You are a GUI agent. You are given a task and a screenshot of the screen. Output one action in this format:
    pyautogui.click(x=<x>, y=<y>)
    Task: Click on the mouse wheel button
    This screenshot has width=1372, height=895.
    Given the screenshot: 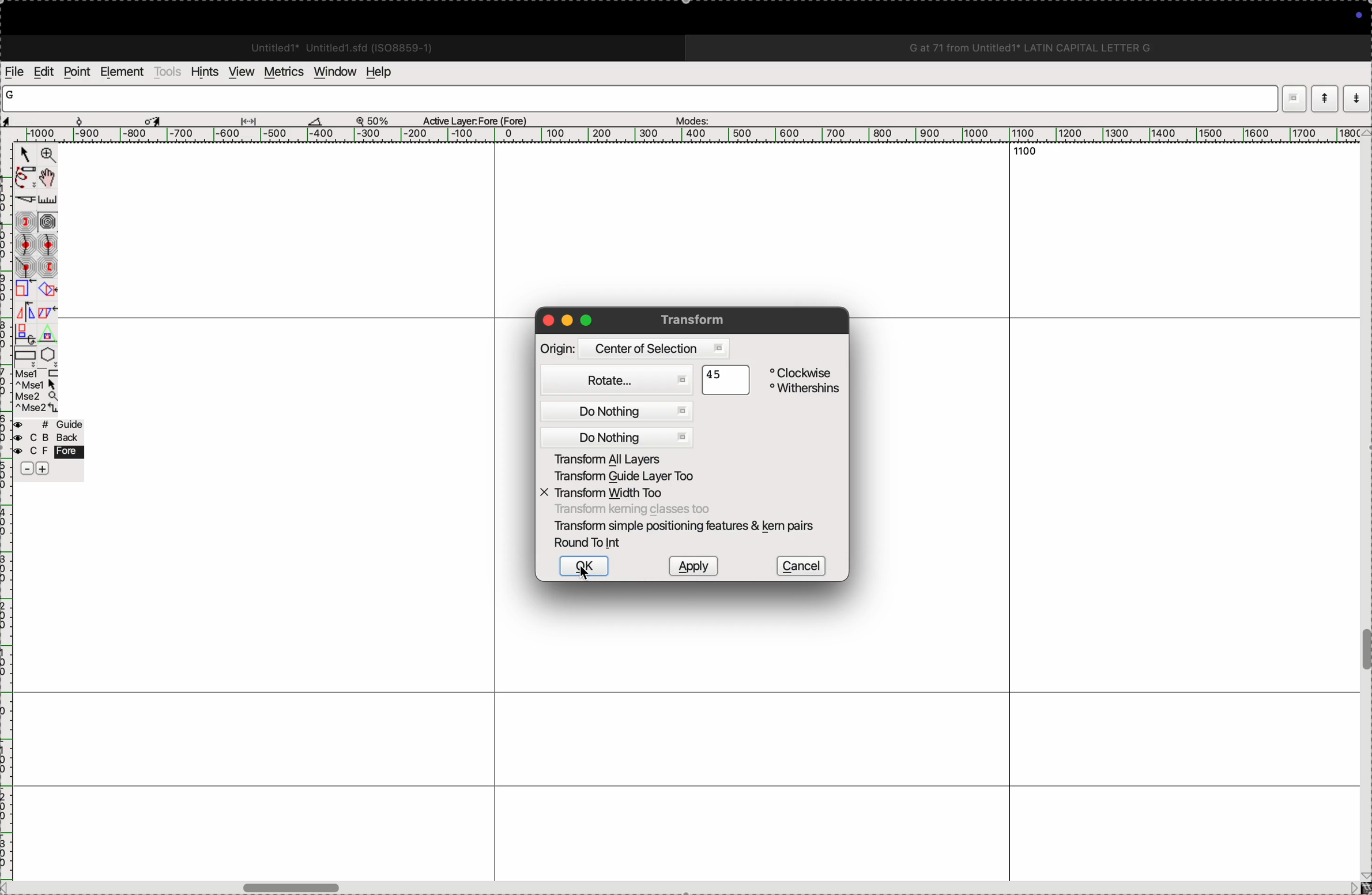 What is the action you would take?
    pyautogui.click(x=37, y=397)
    